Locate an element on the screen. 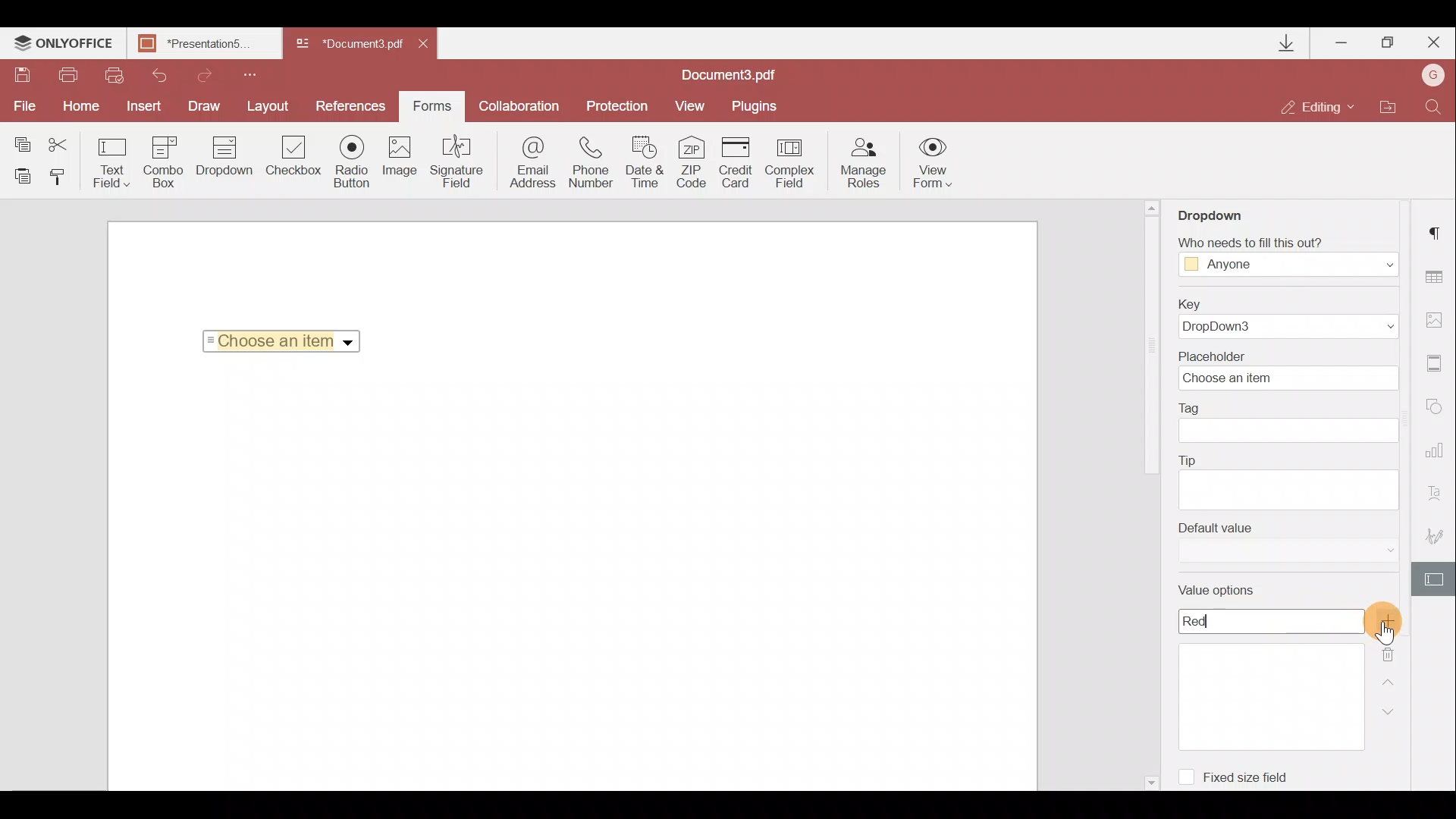 The height and width of the screenshot is (819, 1456). Form settings is located at coordinates (1434, 578).